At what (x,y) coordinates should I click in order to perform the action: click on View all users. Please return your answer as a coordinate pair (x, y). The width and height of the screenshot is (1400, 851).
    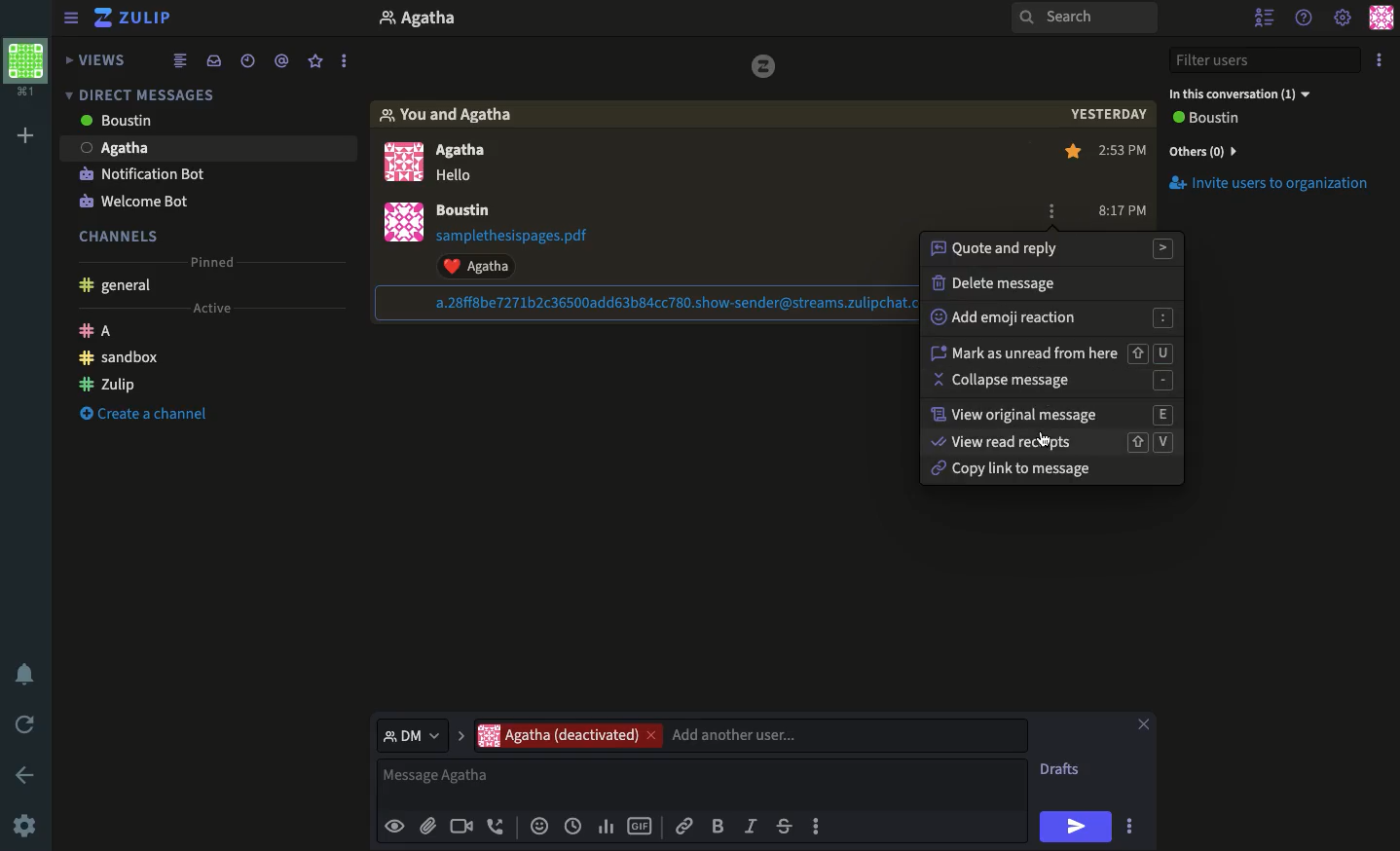
    Looking at the image, I should click on (1223, 120).